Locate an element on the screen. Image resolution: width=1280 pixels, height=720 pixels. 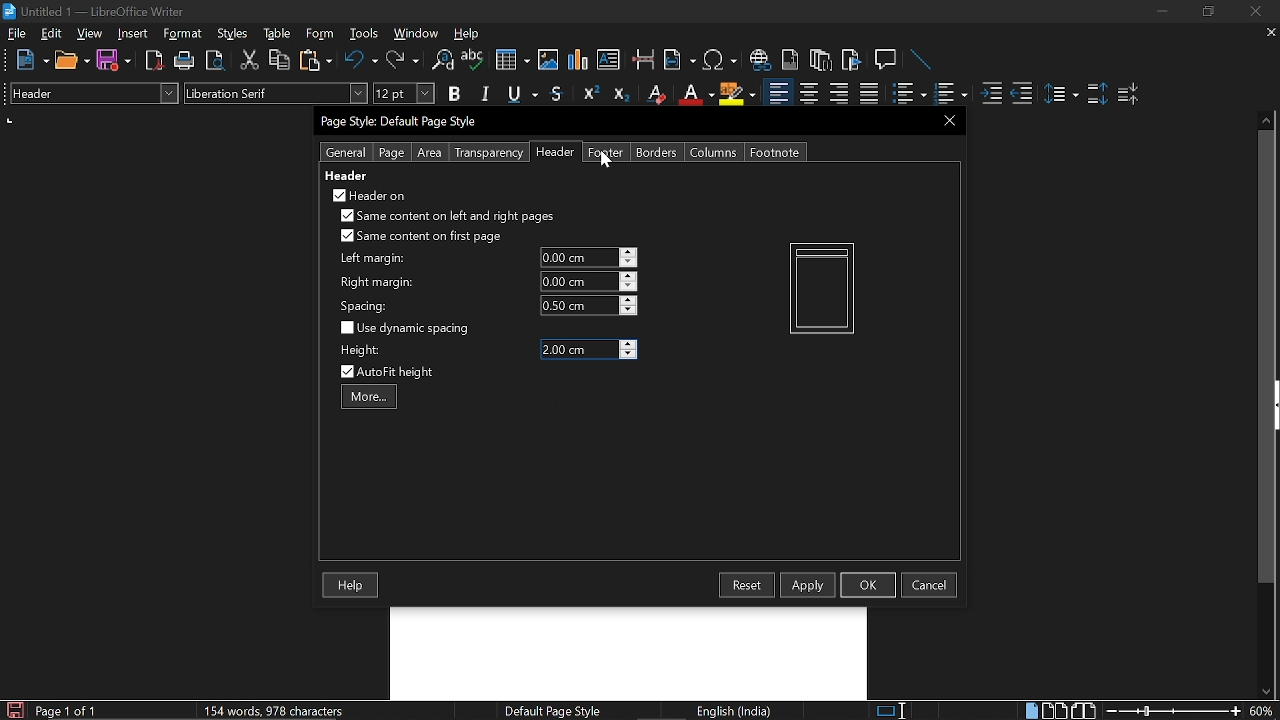
Superscript is located at coordinates (588, 94).